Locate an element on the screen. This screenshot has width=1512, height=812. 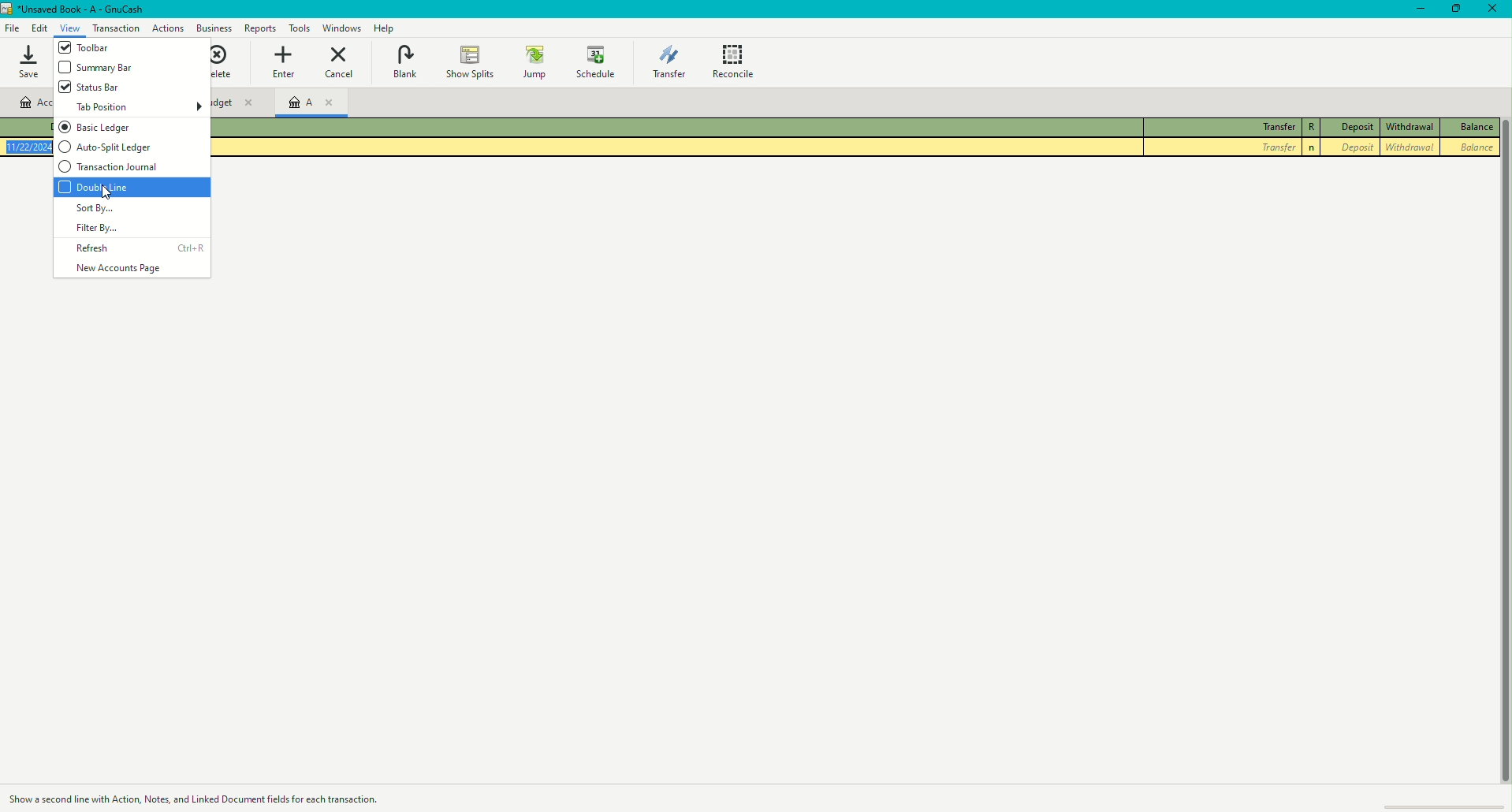
Blank is located at coordinates (404, 61).